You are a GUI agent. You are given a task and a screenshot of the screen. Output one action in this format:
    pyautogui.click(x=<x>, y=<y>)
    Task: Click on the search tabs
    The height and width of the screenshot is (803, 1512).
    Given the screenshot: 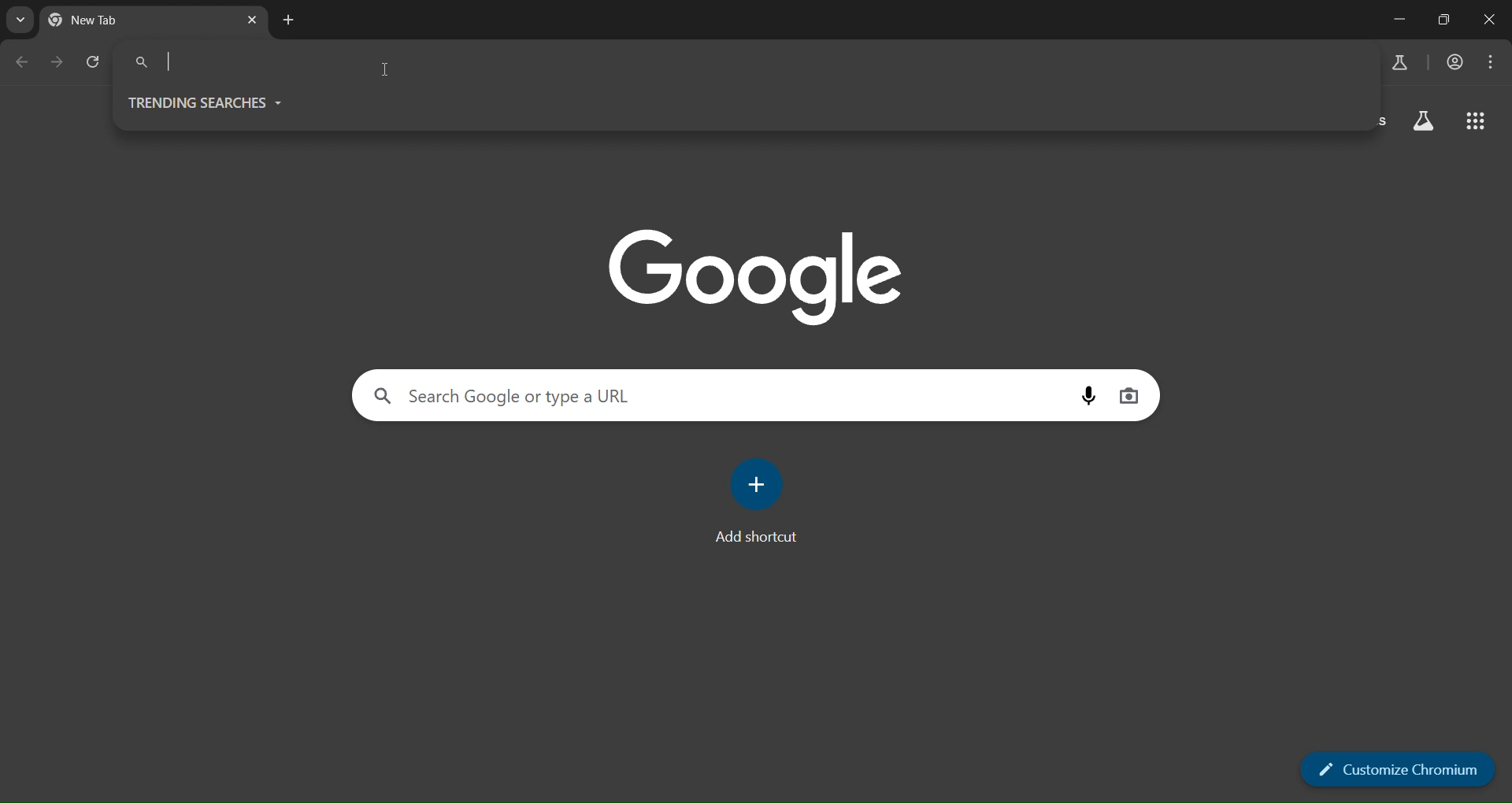 What is the action you would take?
    pyautogui.click(x=21, y=18)
    